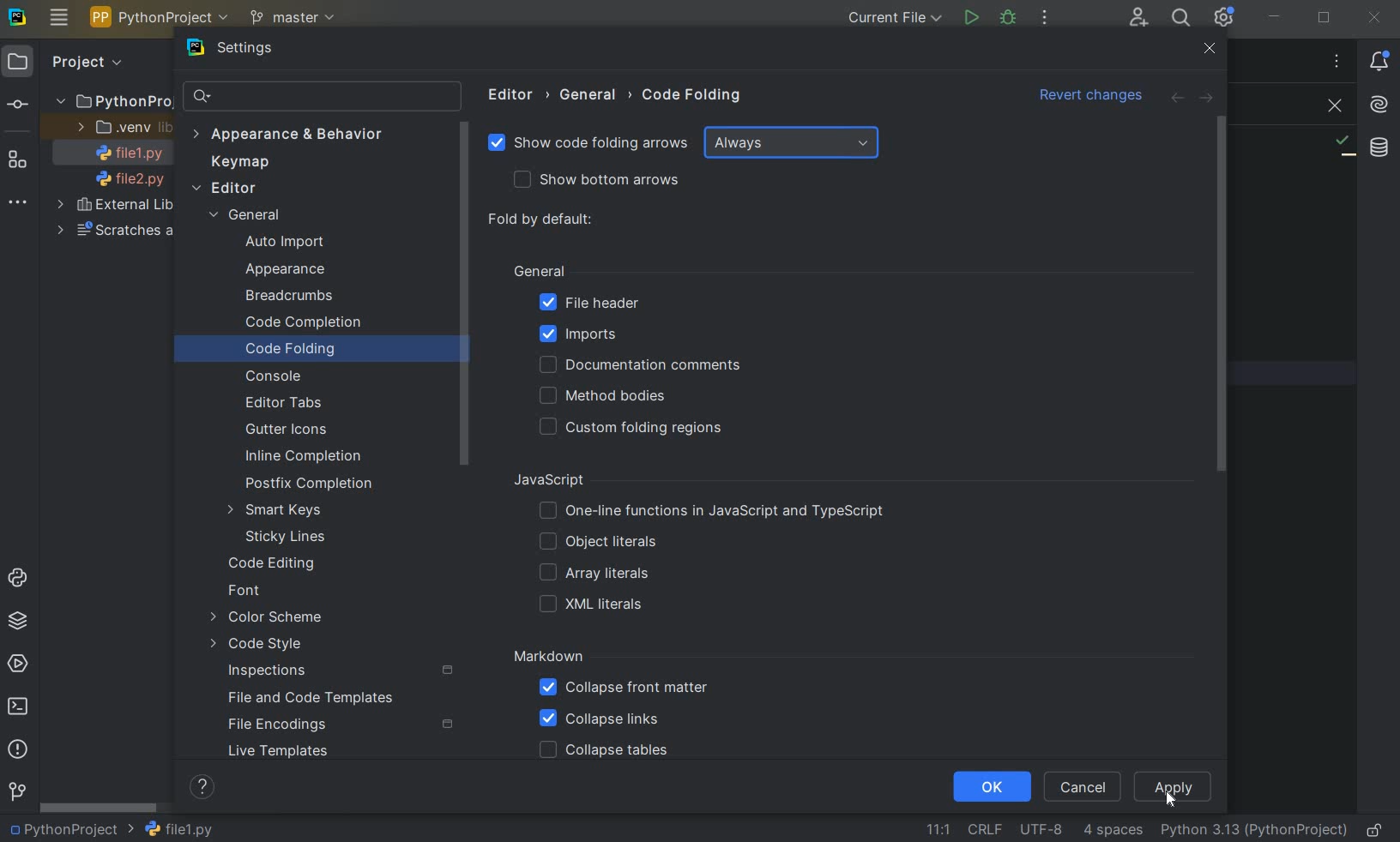 This screenshot has height=842, width=1400. I want to click on INDENT, so click(1112, 831).